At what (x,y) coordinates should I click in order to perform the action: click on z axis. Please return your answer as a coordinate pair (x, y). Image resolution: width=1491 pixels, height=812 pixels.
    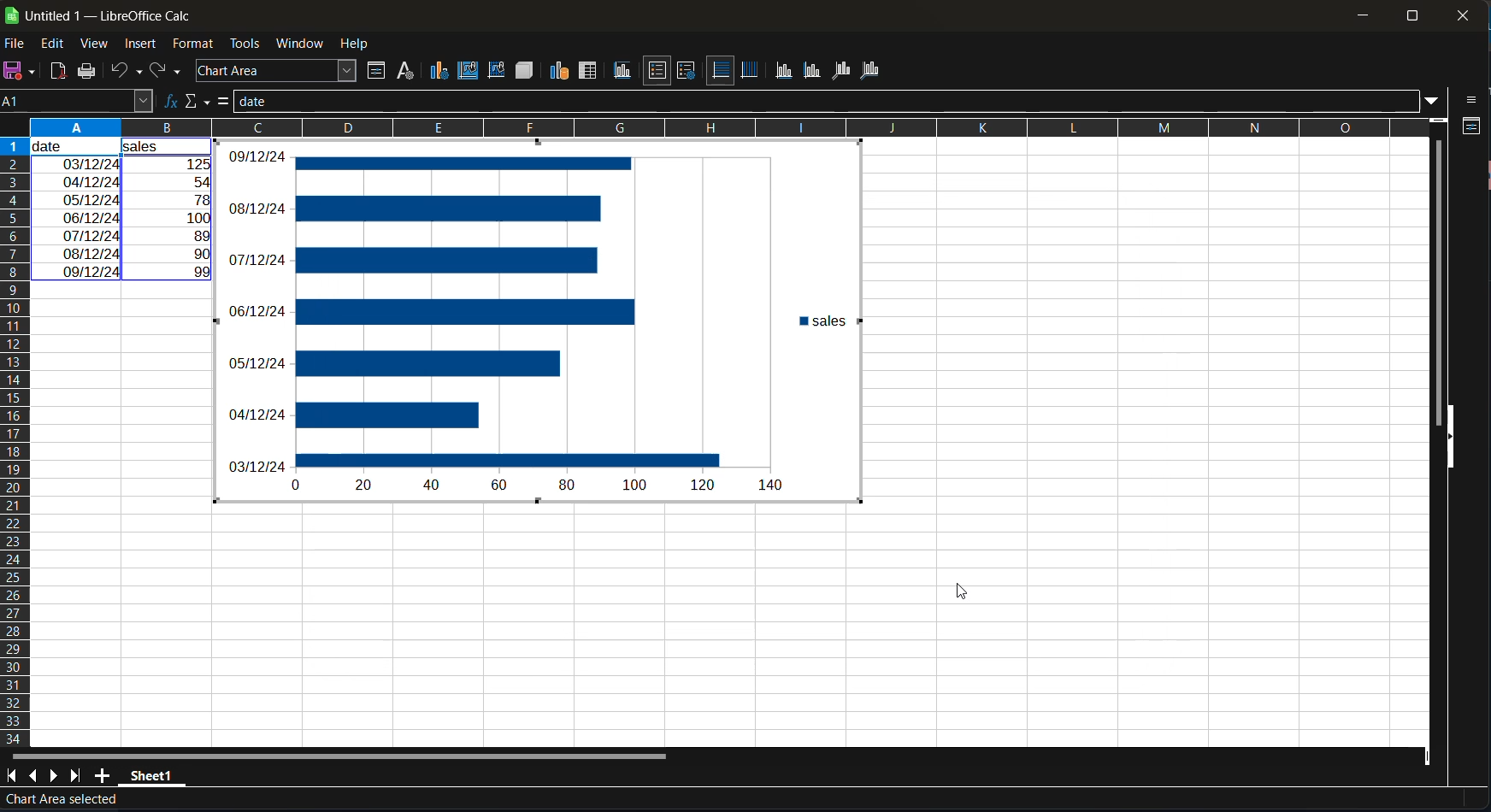
    Looking at the image, I should click on (840, 68).